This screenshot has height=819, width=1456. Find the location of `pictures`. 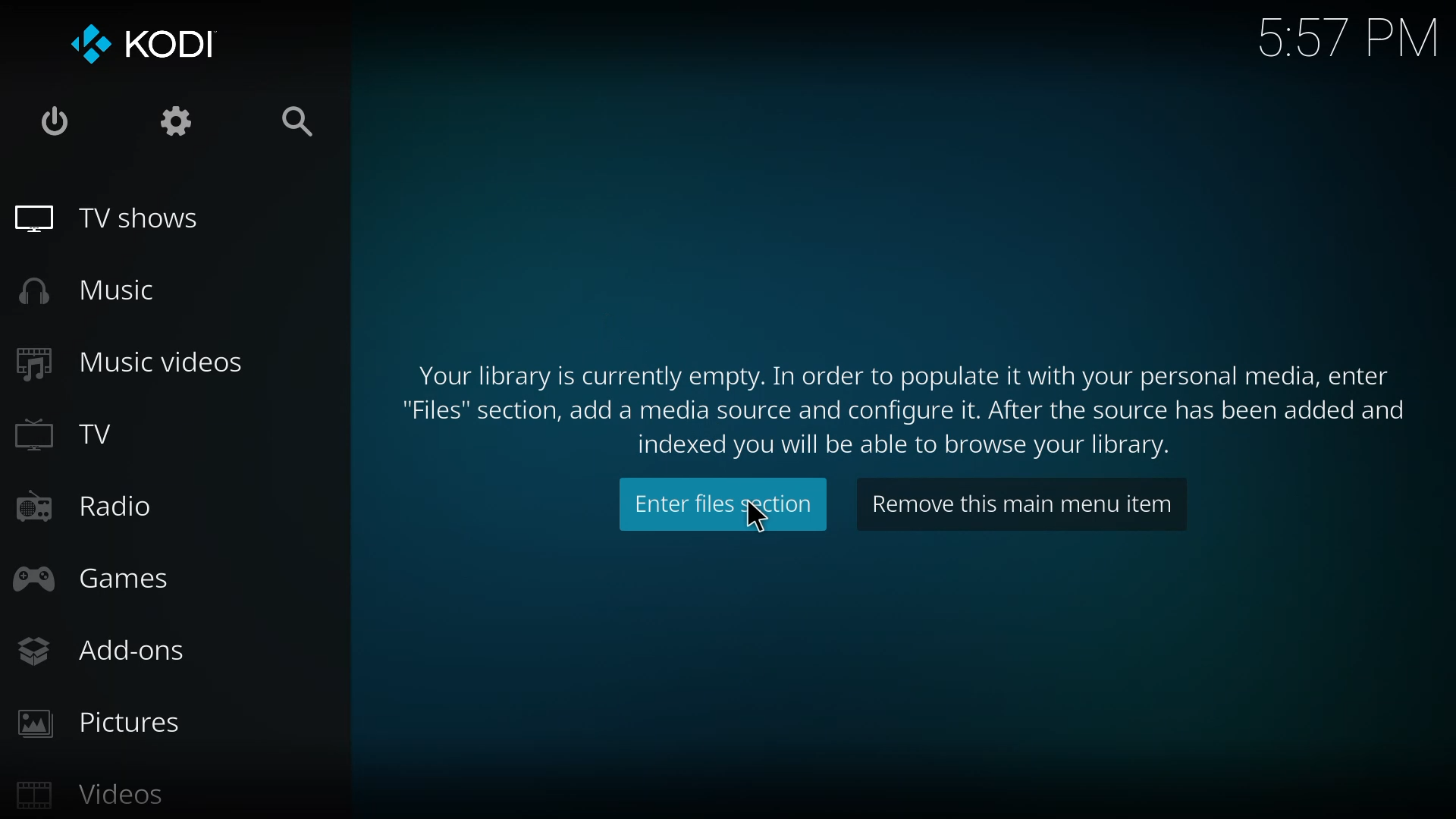

pictures is located at coordinates (103, 720).